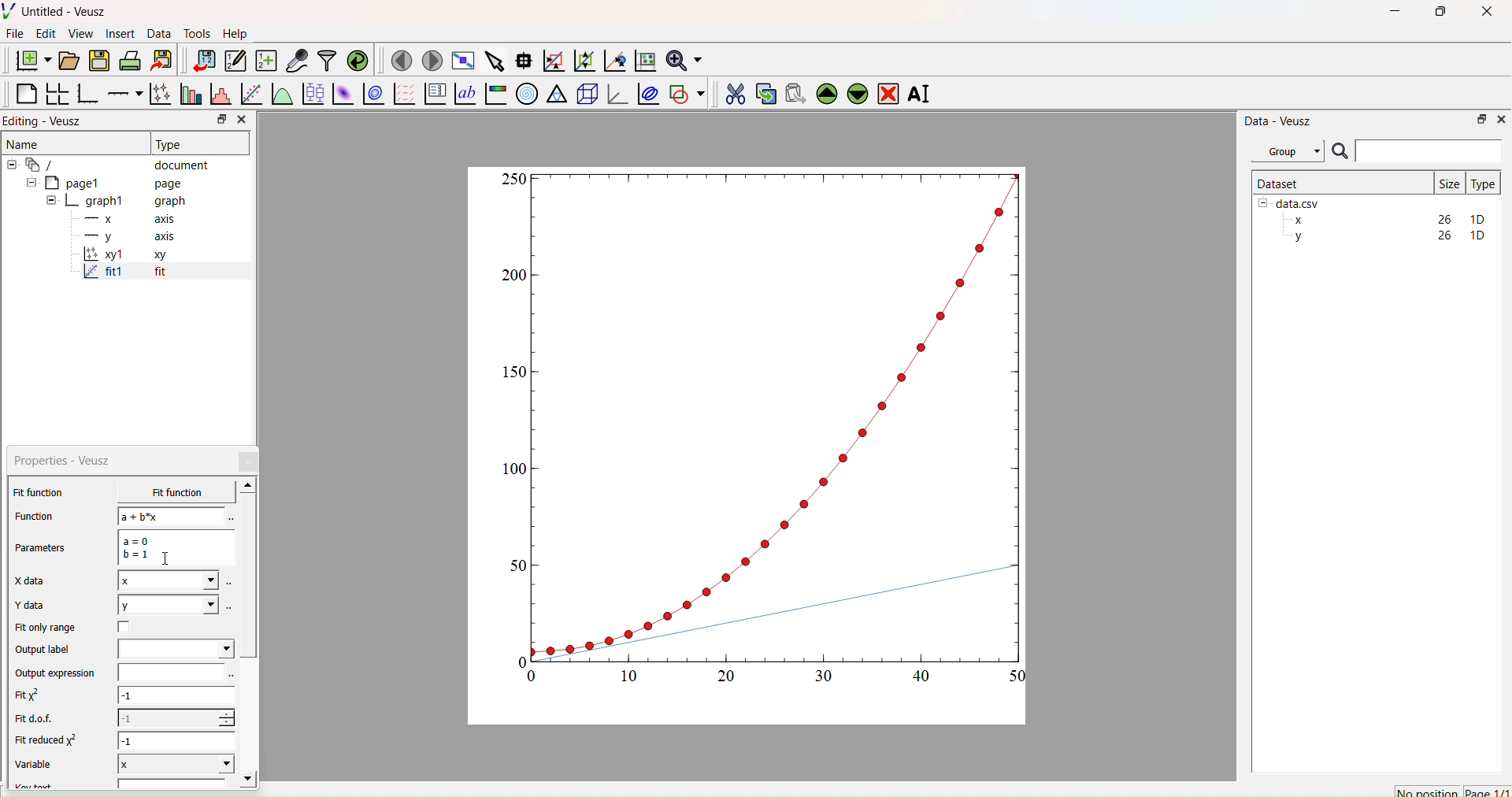 This screenshot has height=797, width=1512. Describe the element at coordinates (233, 33) in the screenshot. I see `Help` at that location.